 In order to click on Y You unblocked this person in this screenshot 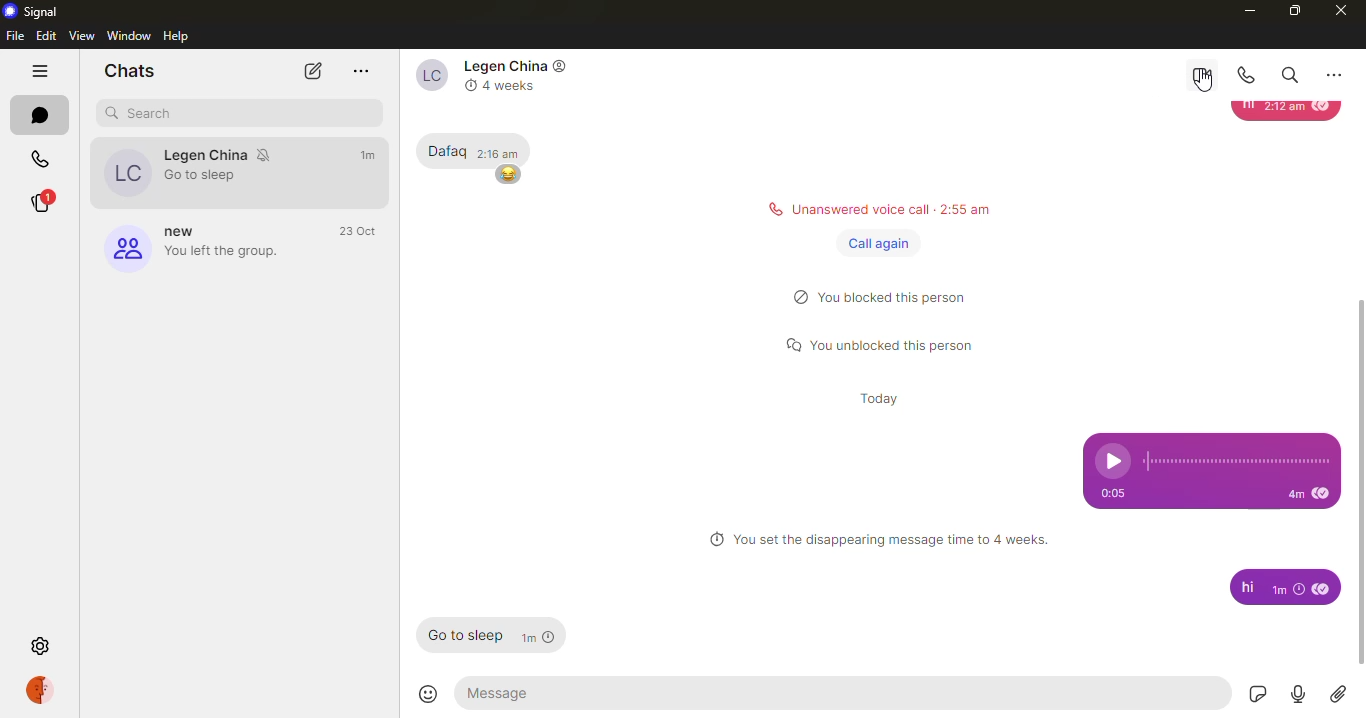, I will do `click(893, 345)`.